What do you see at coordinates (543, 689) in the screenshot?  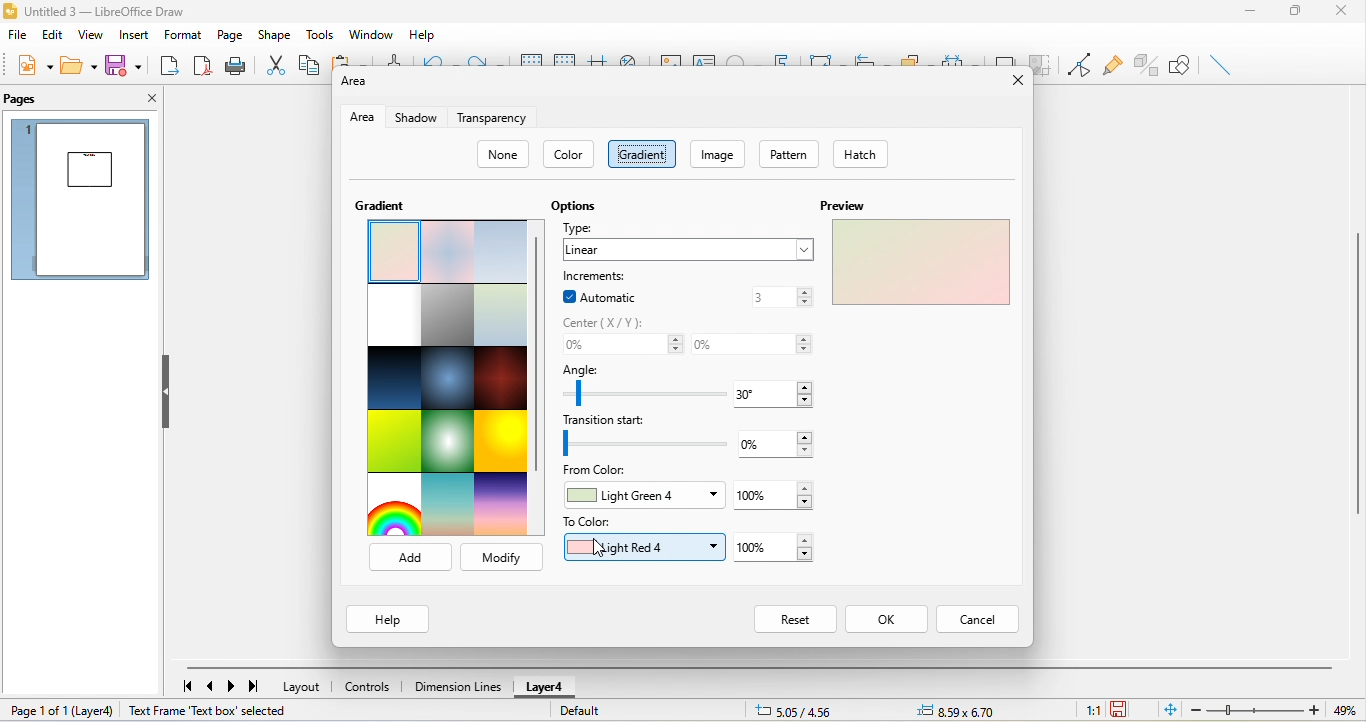 I see `layer 4` at bounding box center [543, 689].